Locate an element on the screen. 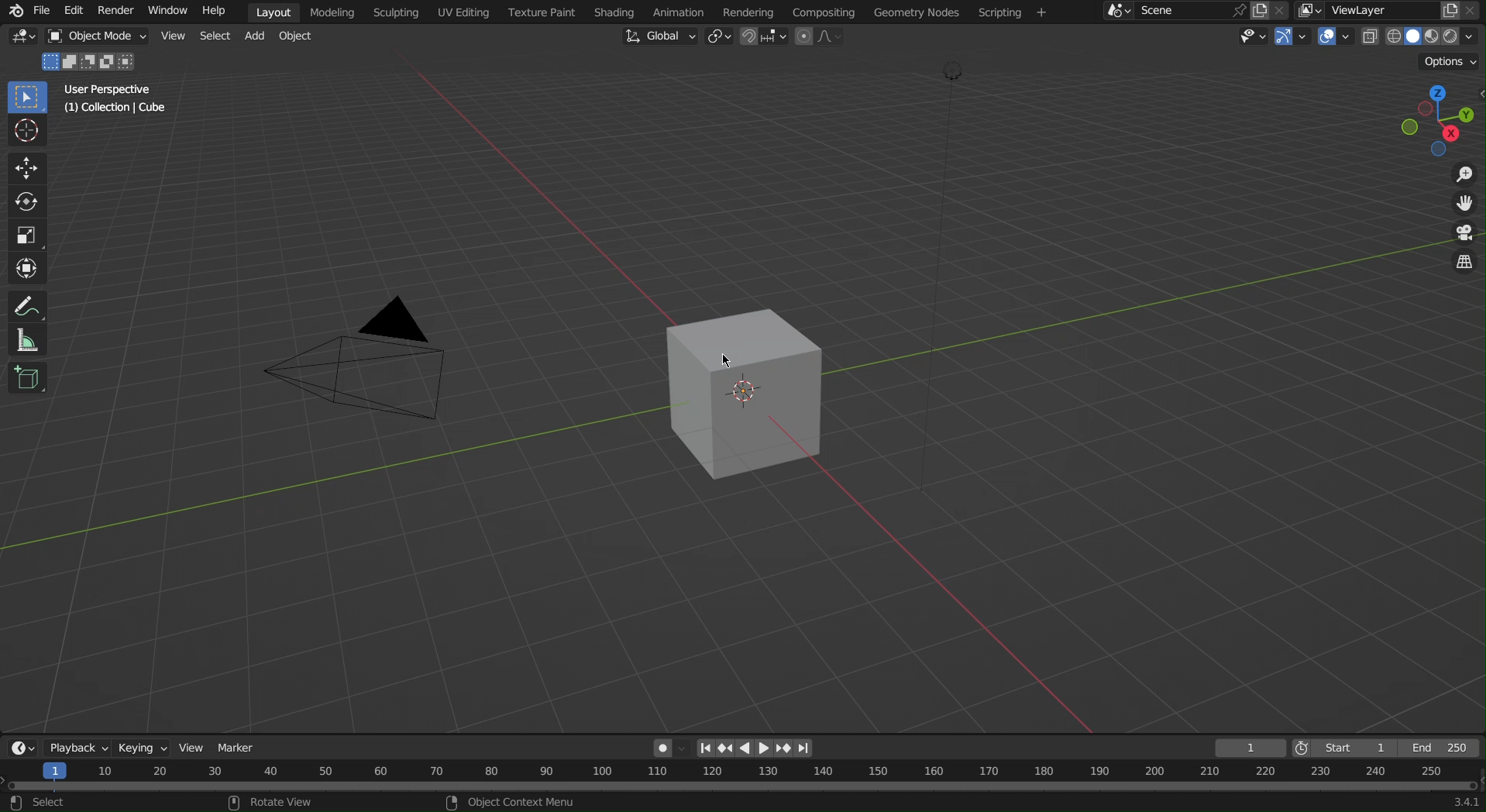 This screenshot has width=1486, height=812. Camera View is located at coordinates (1464, 235).